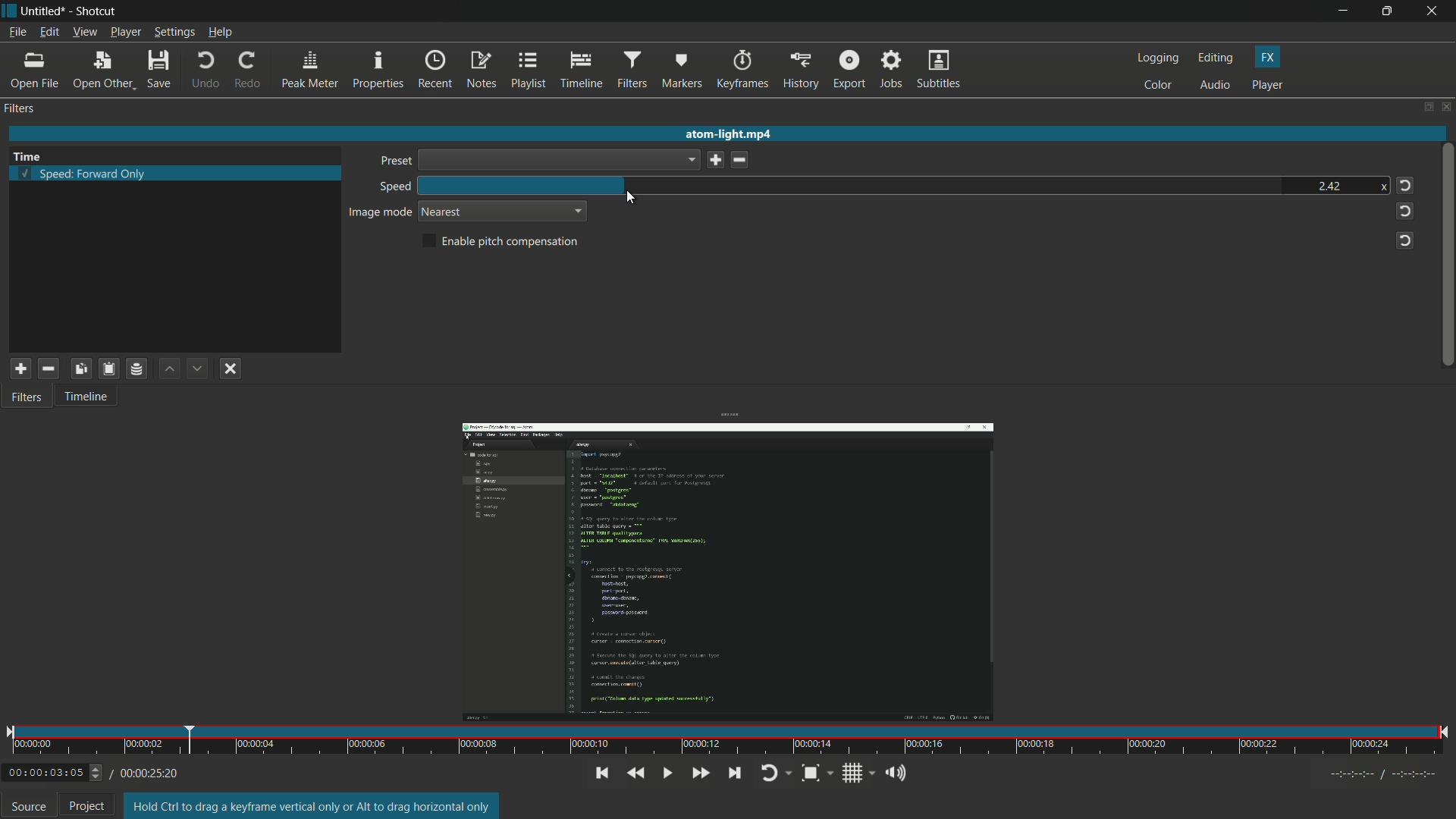  What do you see at coordinates (1159, 86) in the screenshot?
I see `color` at bounding box center [1159, 86].